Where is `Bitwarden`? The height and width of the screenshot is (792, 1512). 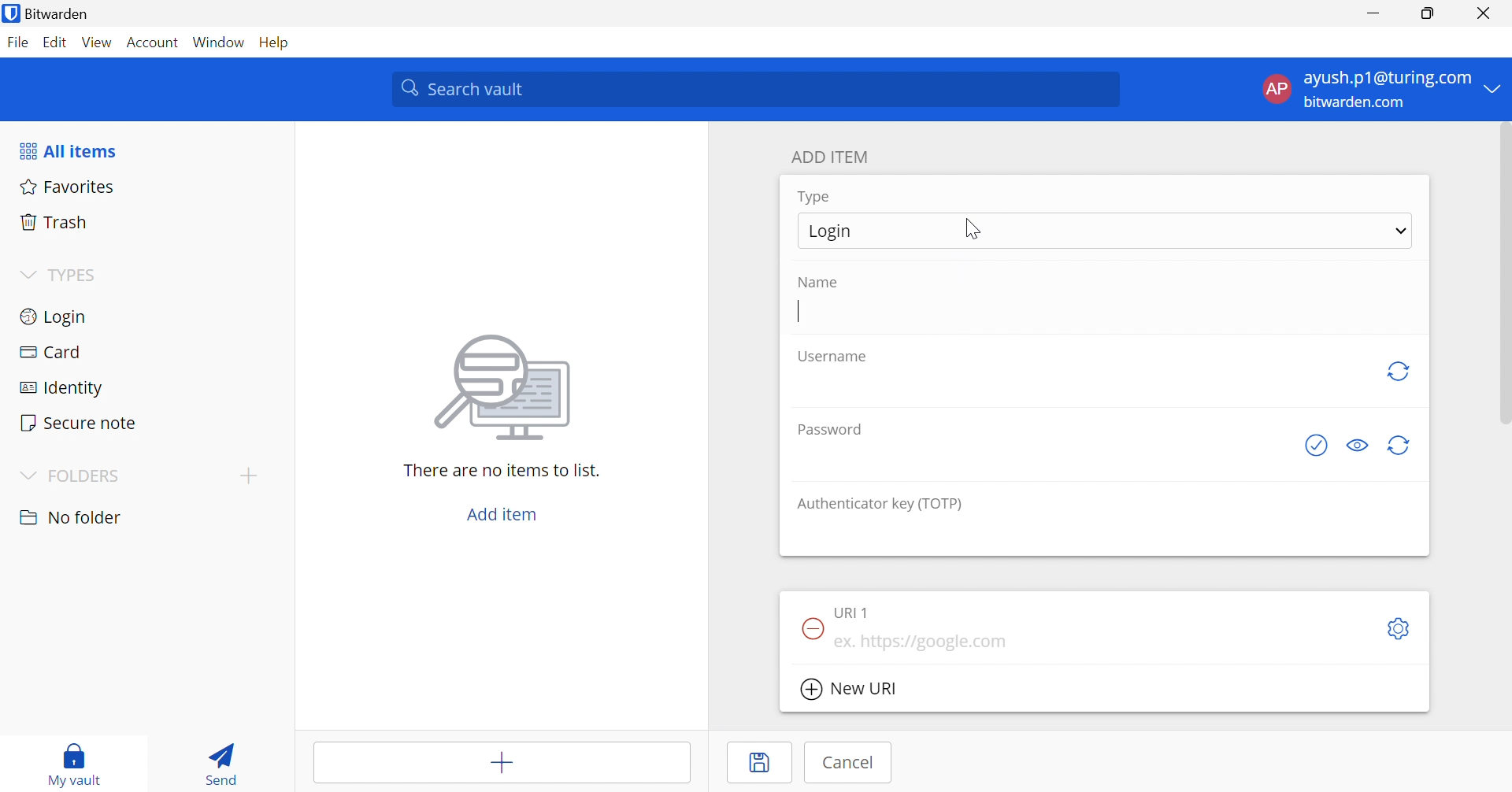 Bitwarden is located at coordinates (50, 13).